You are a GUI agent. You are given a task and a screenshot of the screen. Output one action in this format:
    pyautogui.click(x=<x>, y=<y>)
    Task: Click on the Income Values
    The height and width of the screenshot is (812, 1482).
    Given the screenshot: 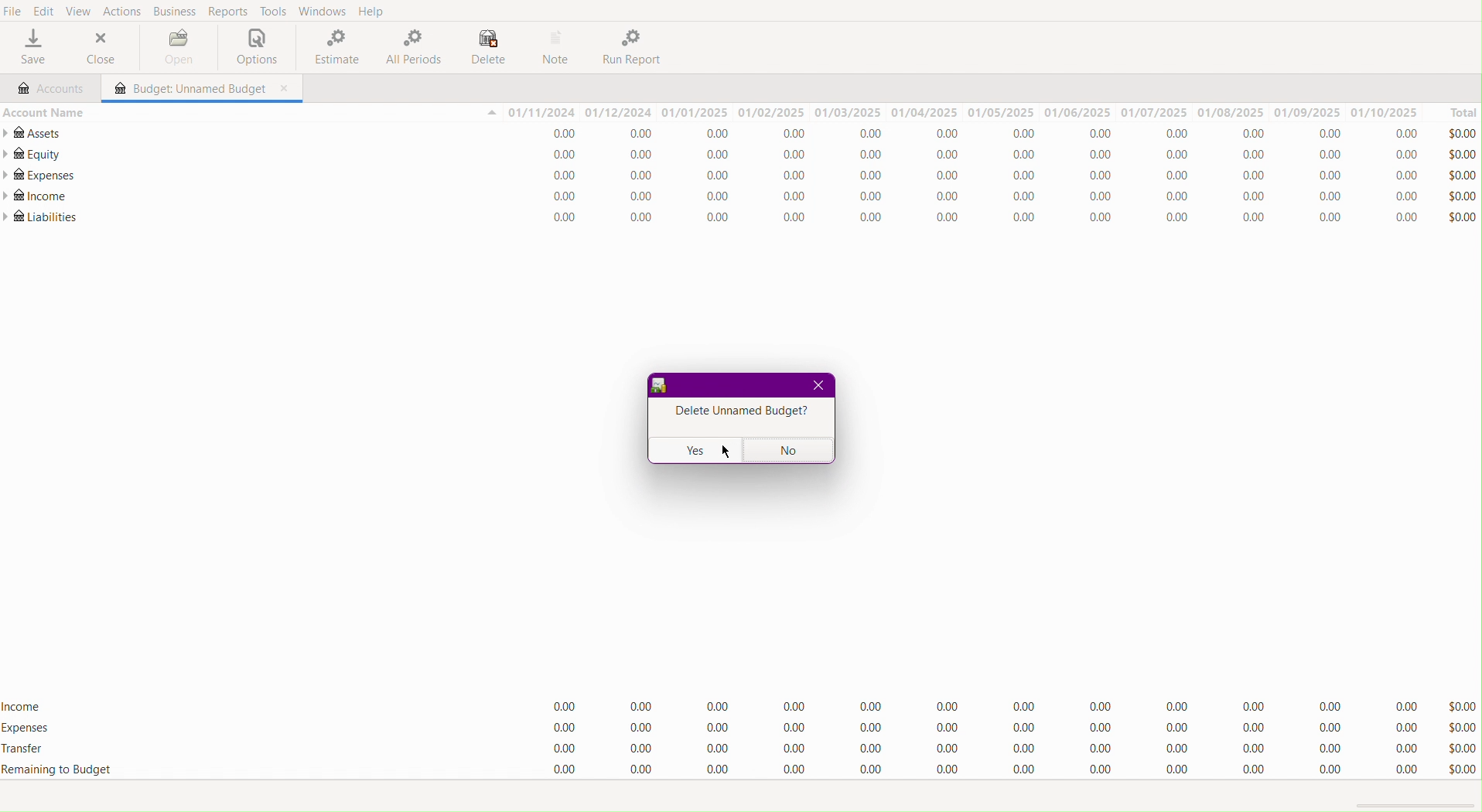 What is the action you would take?
    pyautogui.click(x=986, y=704)
    